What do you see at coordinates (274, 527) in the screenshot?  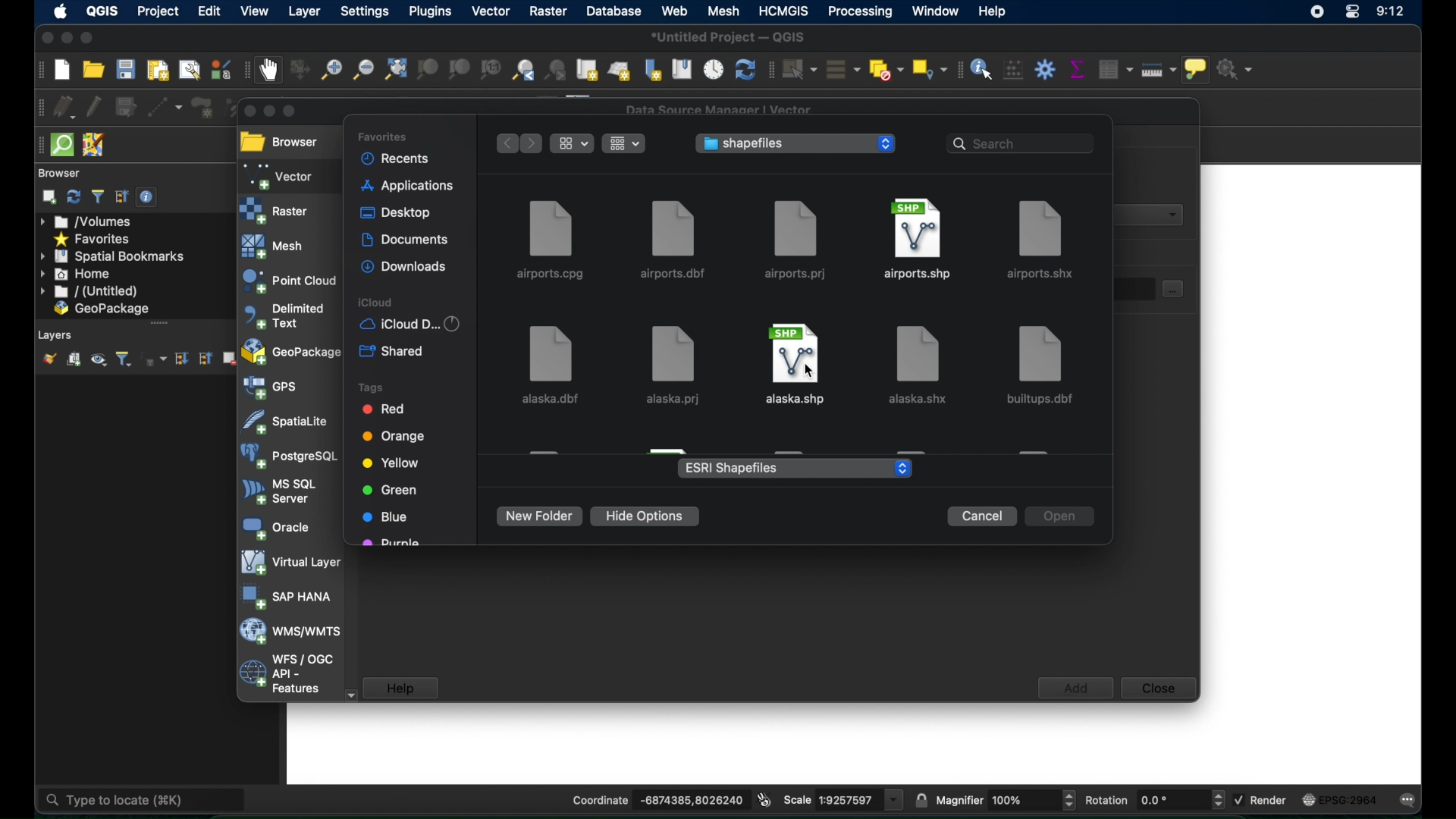 I see `oracle` at bounding box center [274, 527].